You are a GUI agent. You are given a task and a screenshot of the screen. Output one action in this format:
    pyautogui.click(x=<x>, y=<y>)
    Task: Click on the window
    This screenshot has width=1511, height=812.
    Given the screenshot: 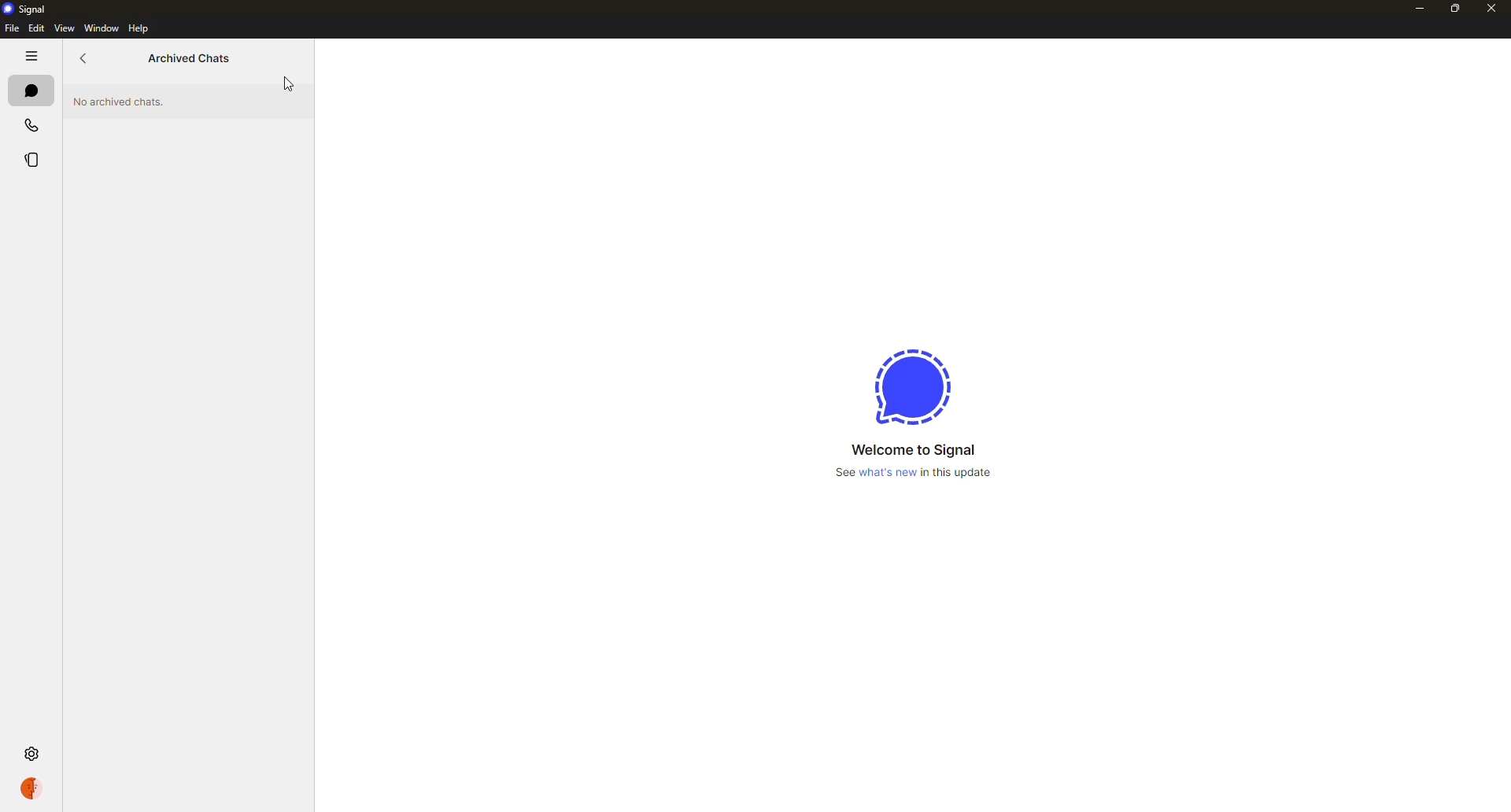 What is the action you would take?
    pyautogui.click(x=102, y=28)
    